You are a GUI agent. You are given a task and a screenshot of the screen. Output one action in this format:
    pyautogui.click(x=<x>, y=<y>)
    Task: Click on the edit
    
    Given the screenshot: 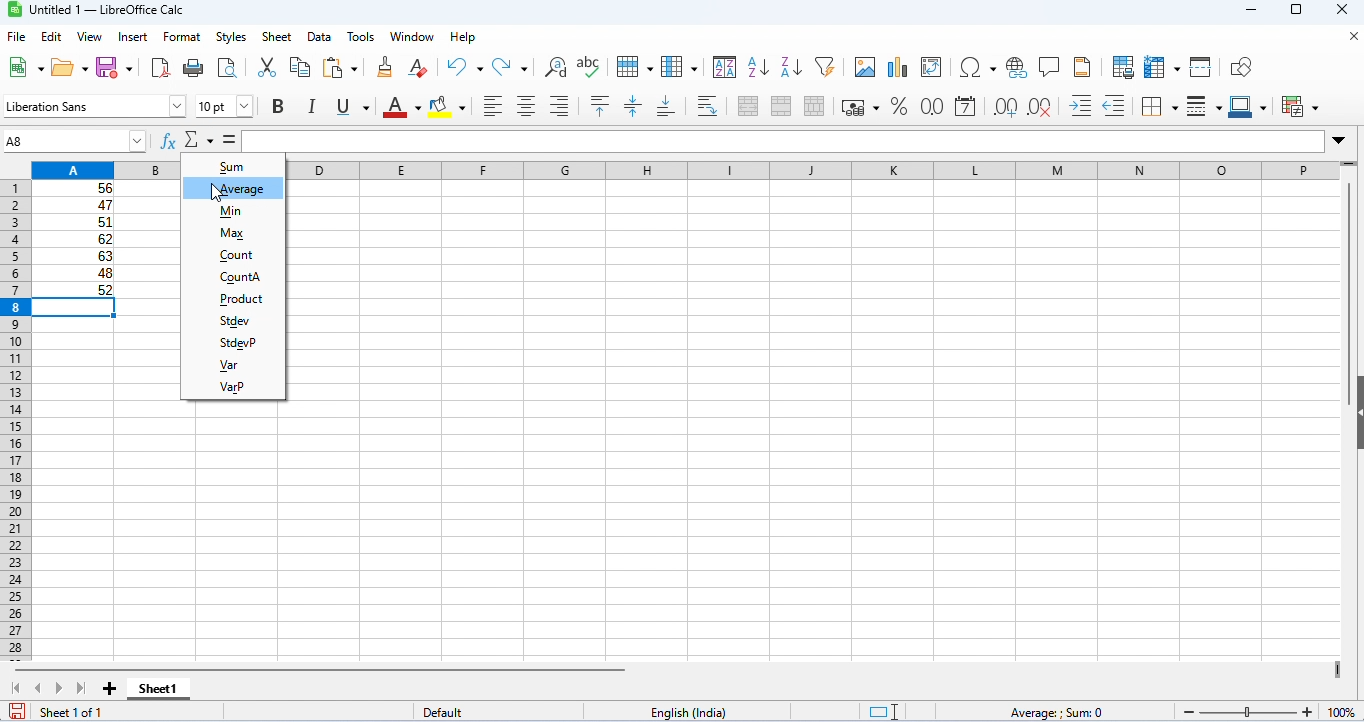 What is the action you would take?
    pyautogui.click(x=52, y=37)
    